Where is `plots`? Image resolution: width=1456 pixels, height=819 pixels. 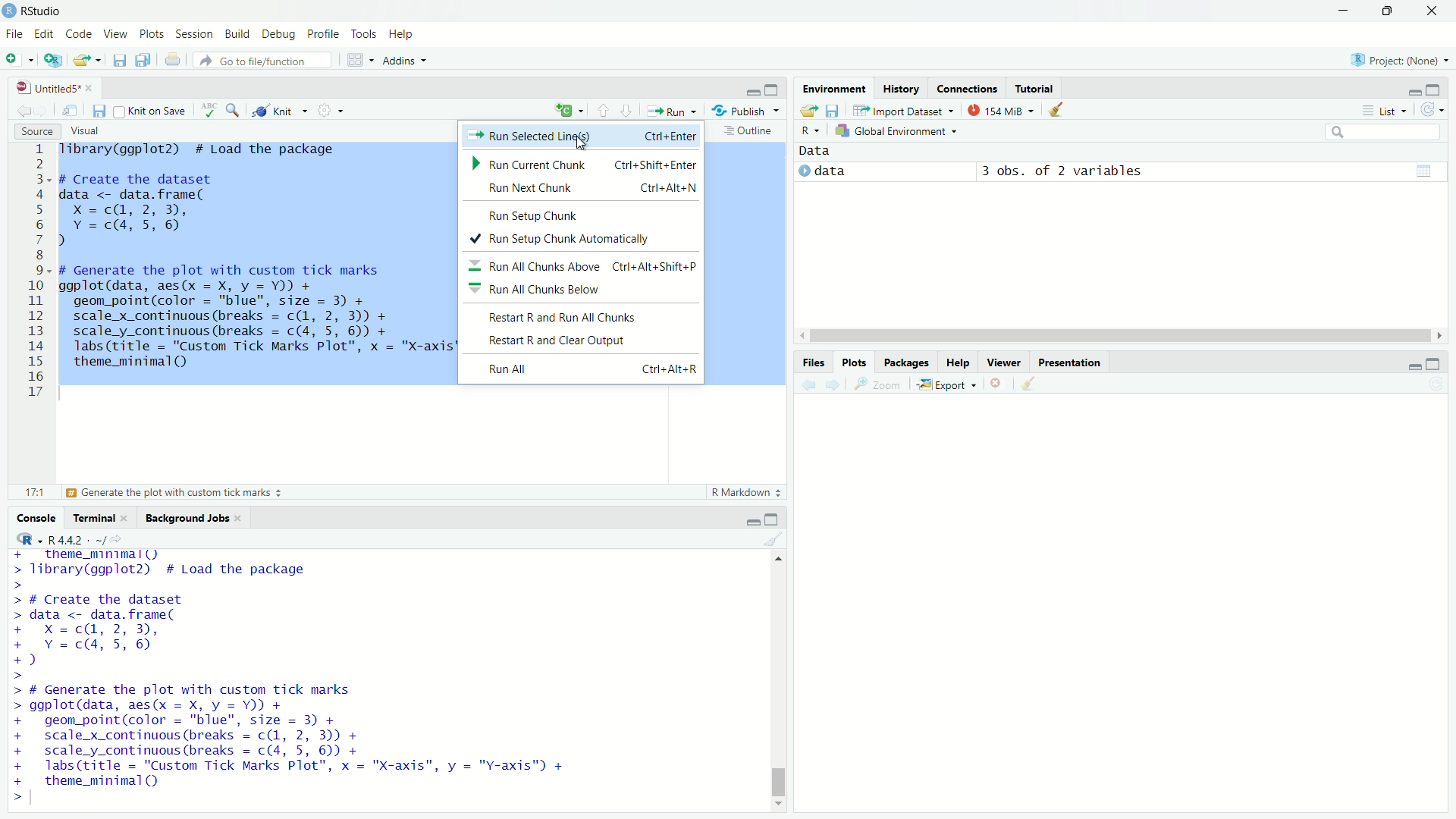 plots is located at coordinates (855, 362).